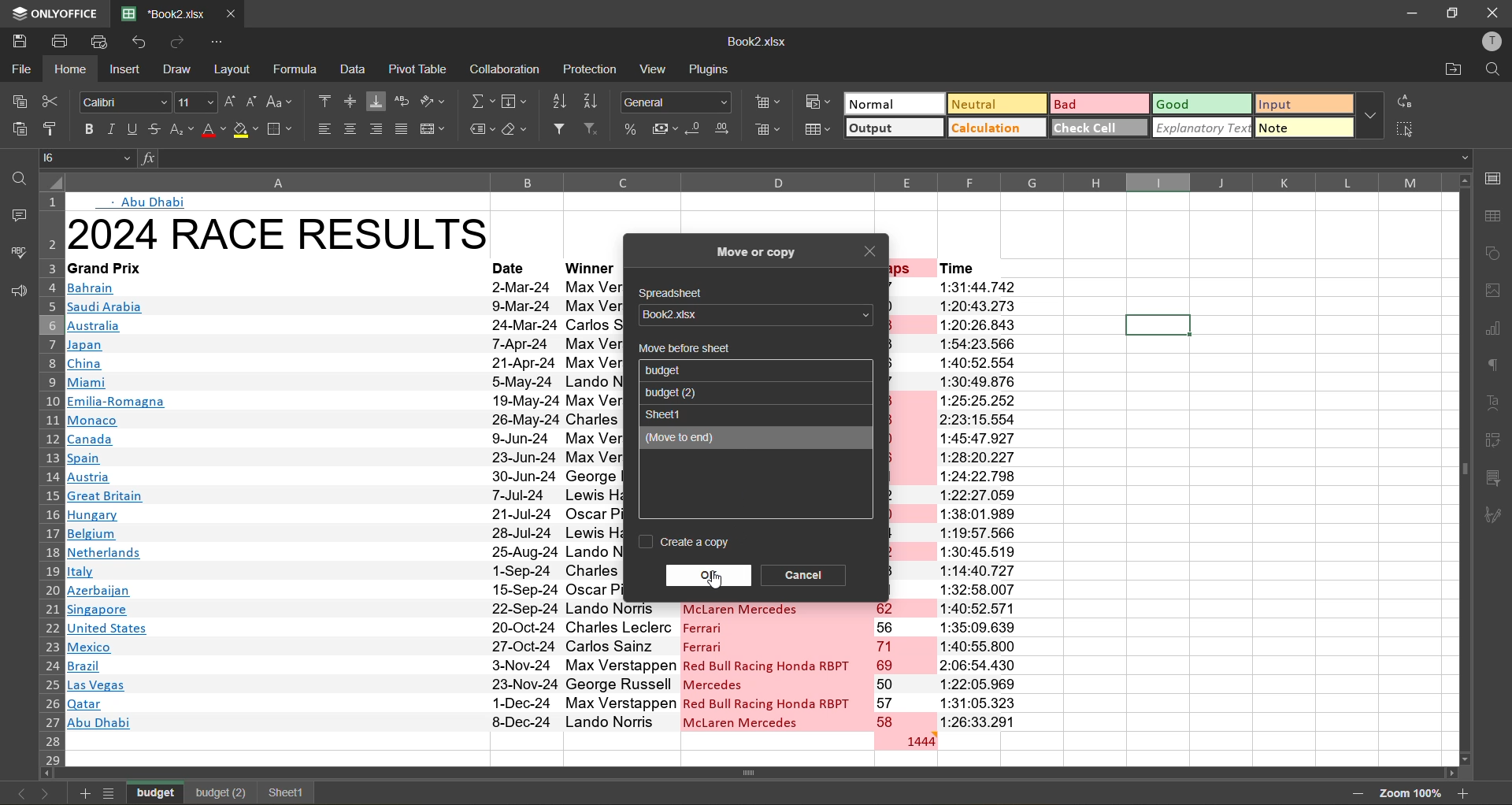 This screenshot has width=1512, height=805. What do you see at coordinates (53, 11) in the screenshot?
I see `app name` at bounding box center [53, 11].